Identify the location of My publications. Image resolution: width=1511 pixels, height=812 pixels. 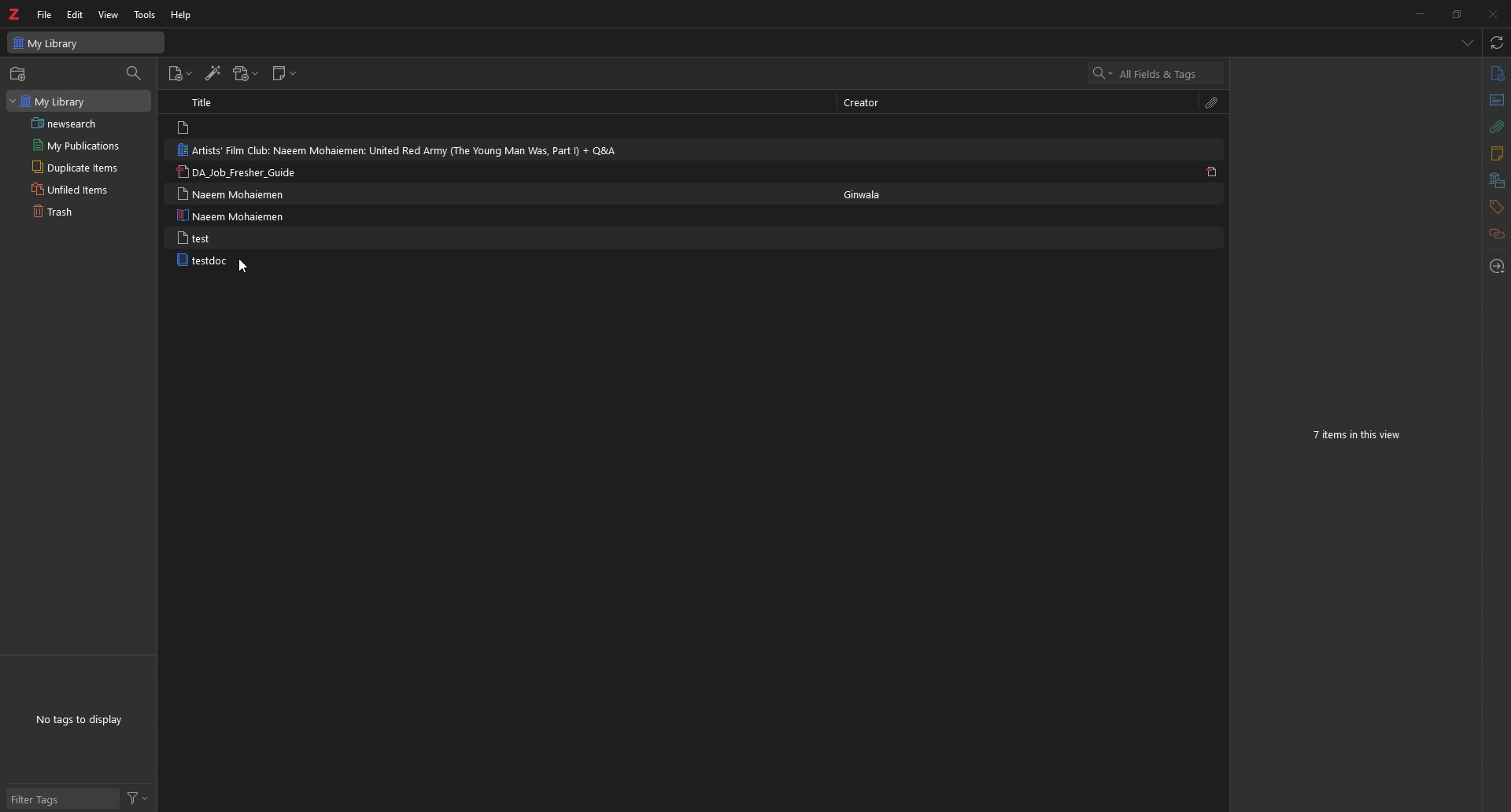
(76, 145).